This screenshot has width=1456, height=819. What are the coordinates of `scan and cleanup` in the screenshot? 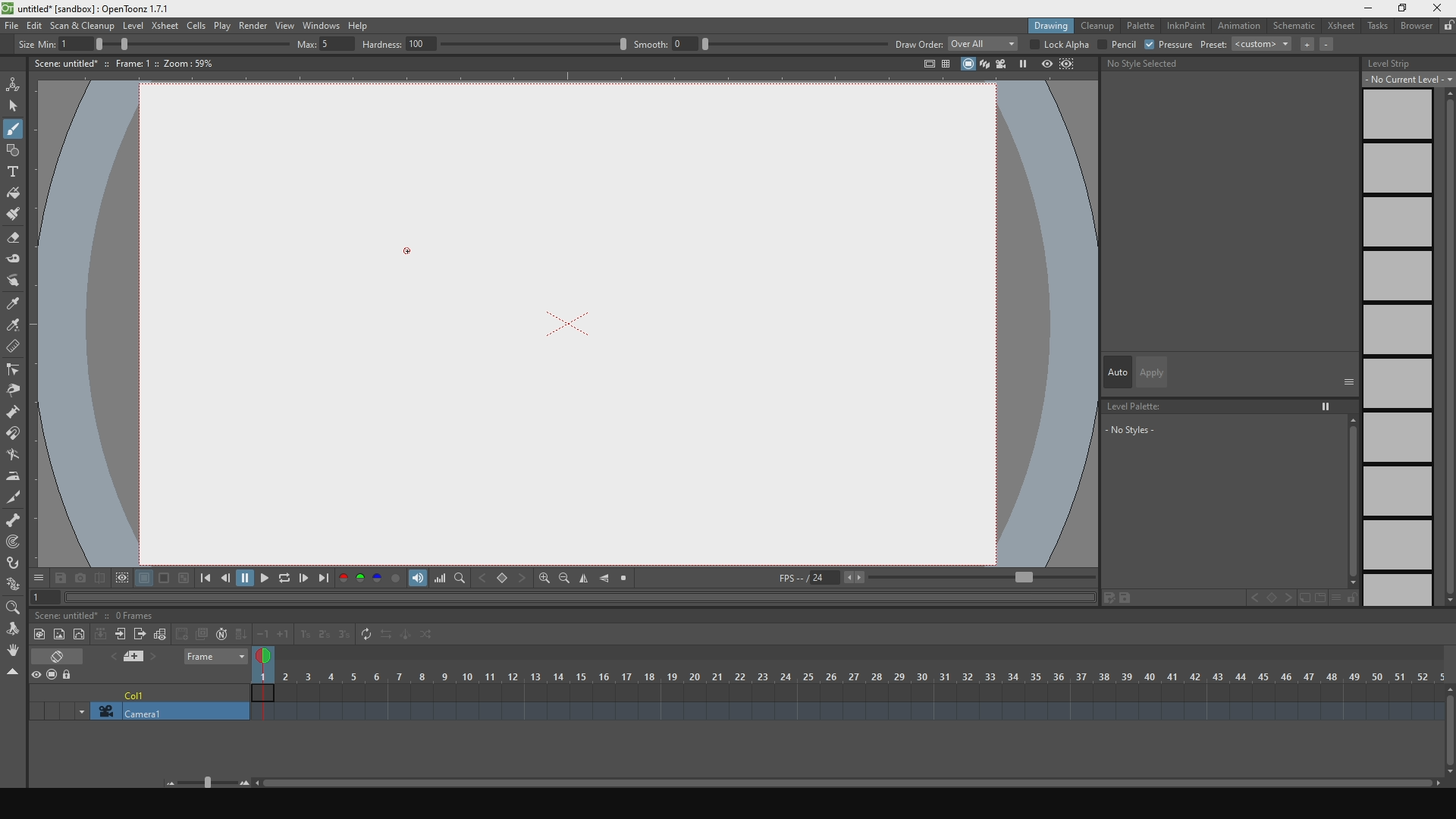 It's located at (83, 24).